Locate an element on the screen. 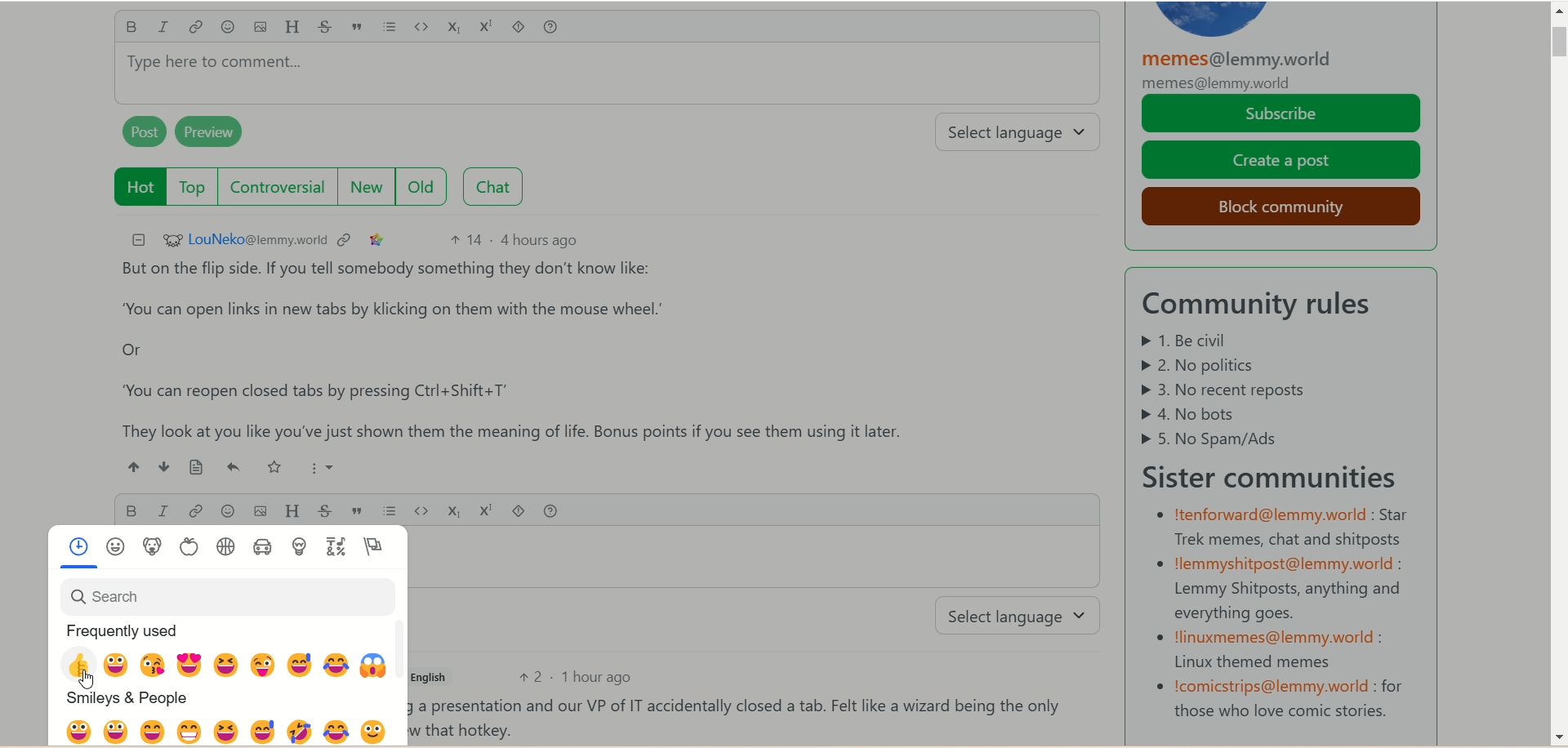 The width and height of the screenshot is (1568, 748). block community is located at coordinates (1275, 204).